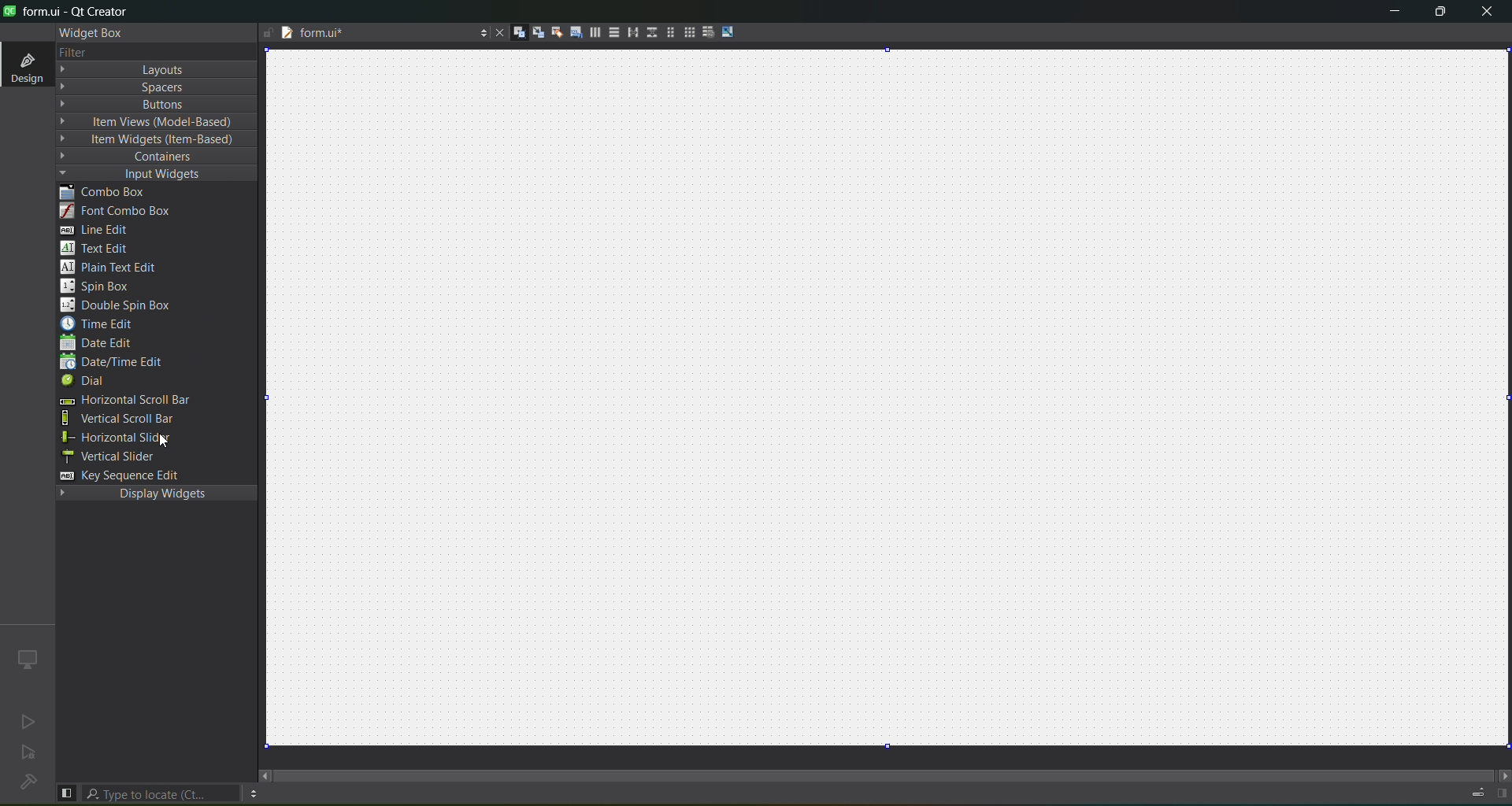  Describe the element at coordinates (612, 32) in the screenshot. I see `vertical layout` at that location.